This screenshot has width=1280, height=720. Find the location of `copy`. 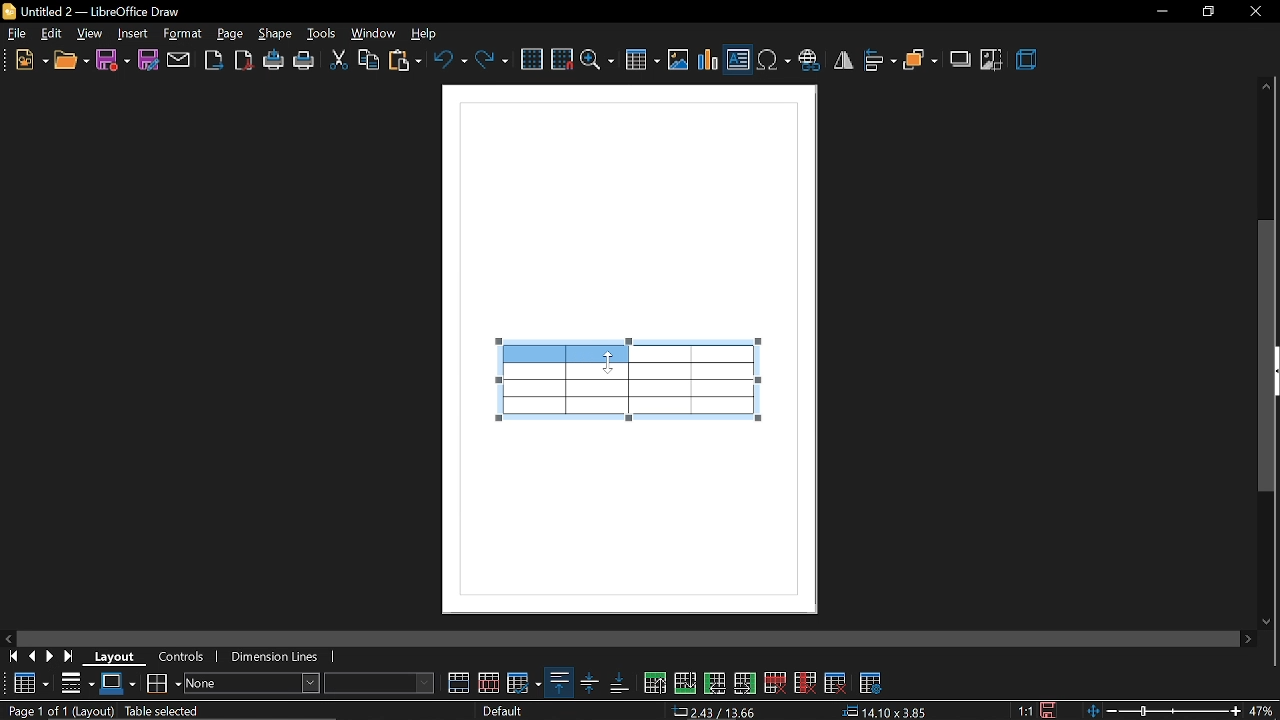

copy is located at coordinates (367, 61).